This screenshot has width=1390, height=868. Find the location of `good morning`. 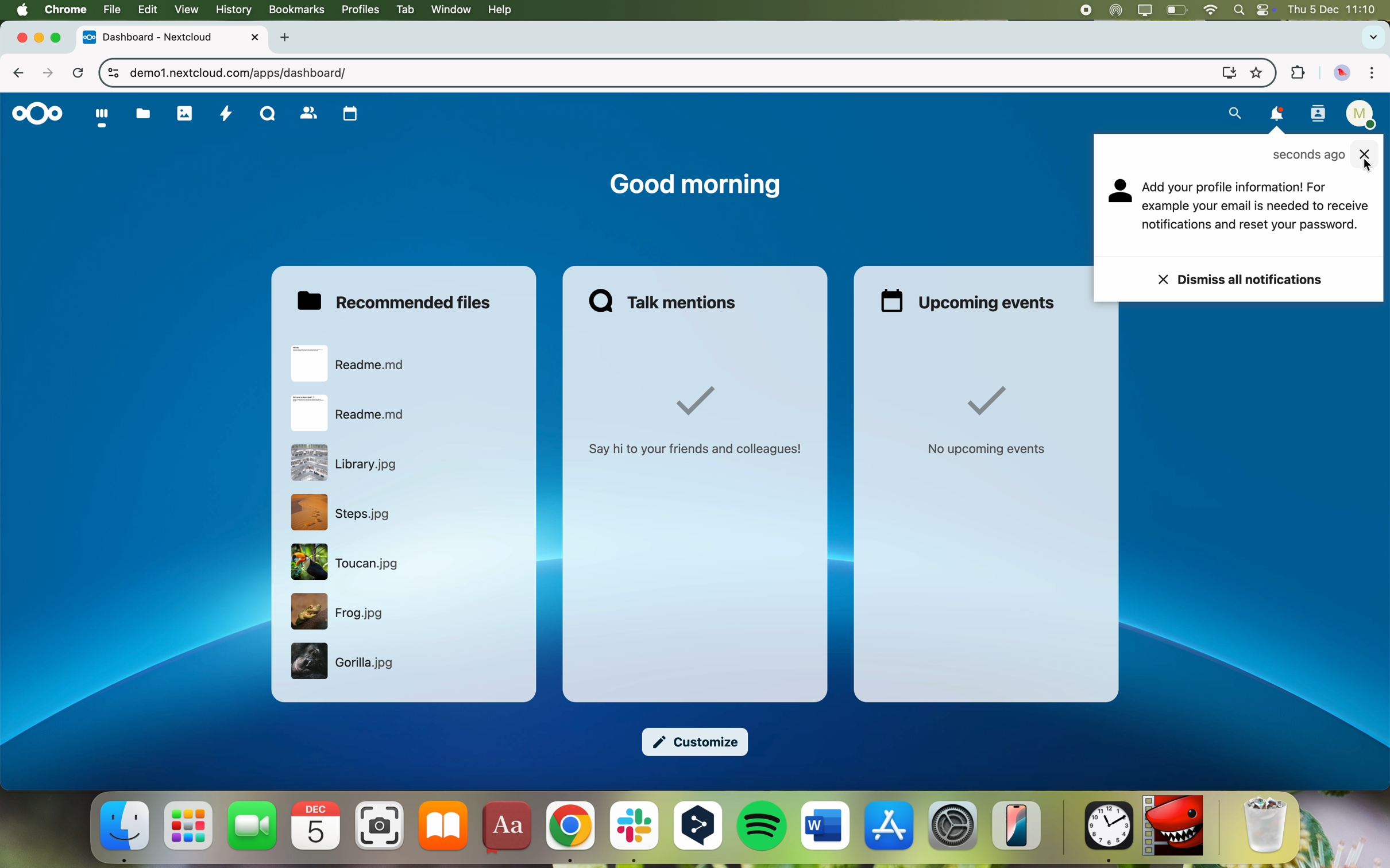

good morning is located at coordinates (694, 186).